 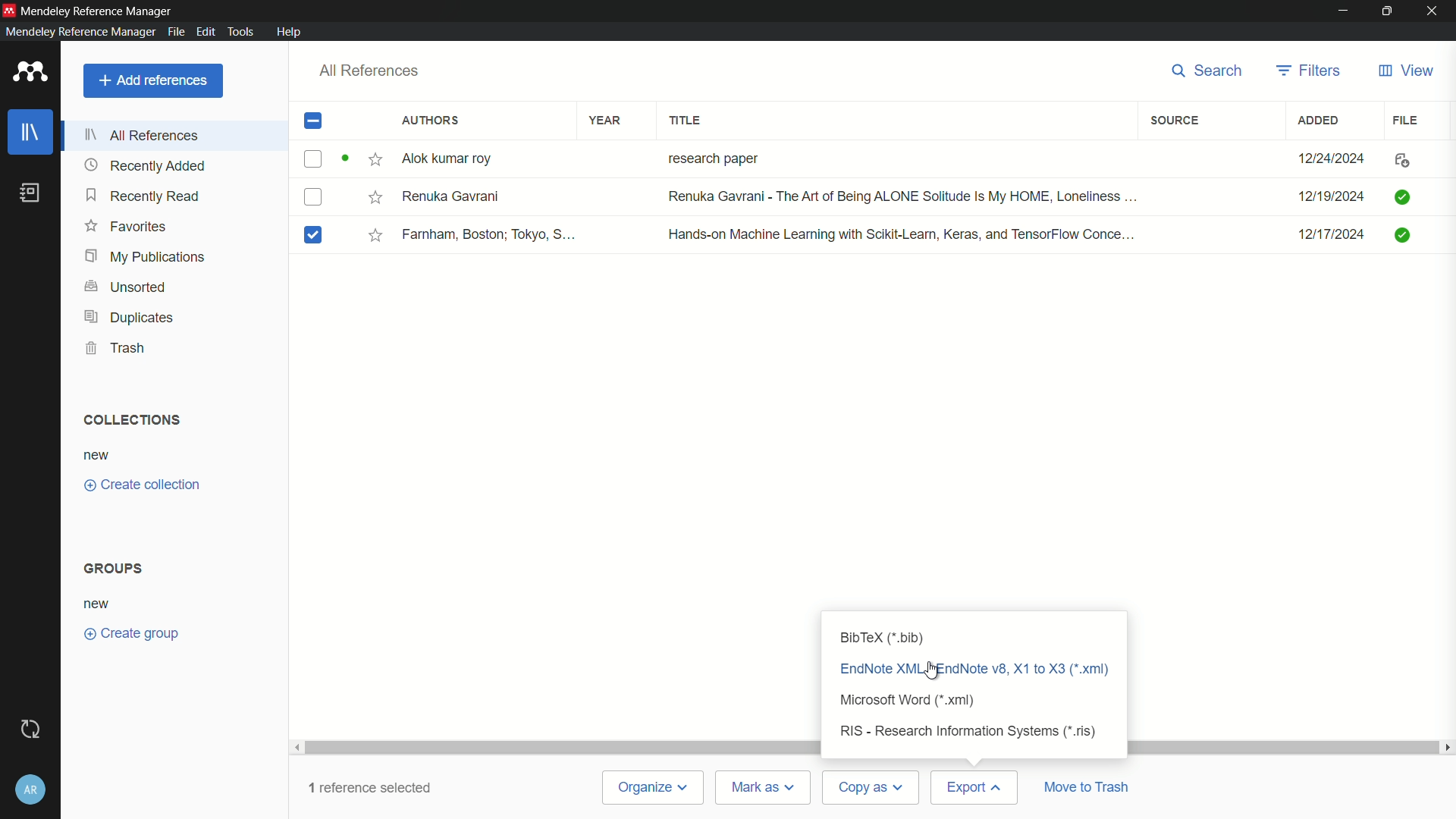 I want to click on all references, so click(x=369, y=71).